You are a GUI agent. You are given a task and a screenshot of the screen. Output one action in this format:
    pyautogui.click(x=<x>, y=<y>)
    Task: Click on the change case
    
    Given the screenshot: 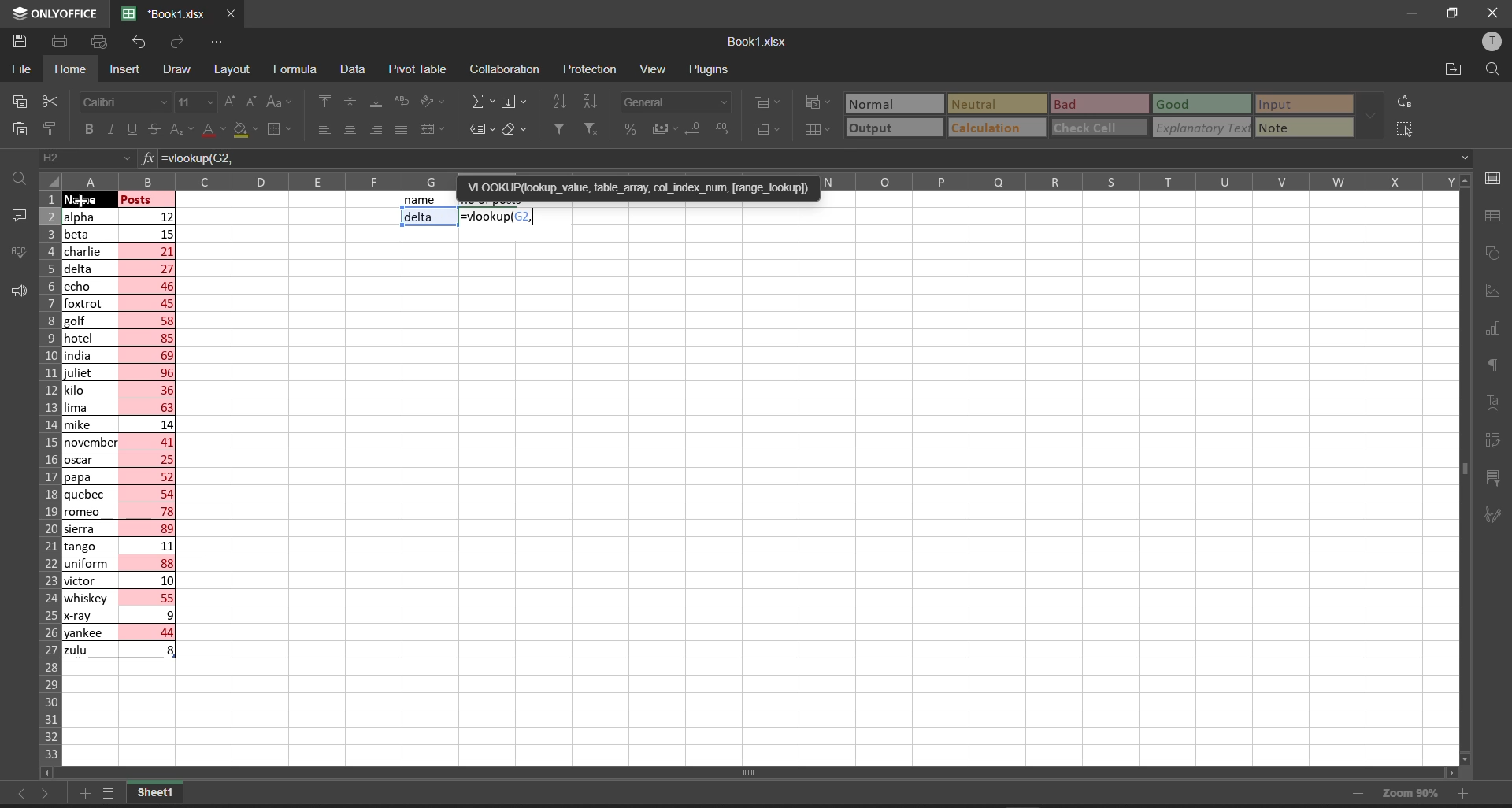 What is the action you would take?
    pyautogui.click(x=281, y=102)
    